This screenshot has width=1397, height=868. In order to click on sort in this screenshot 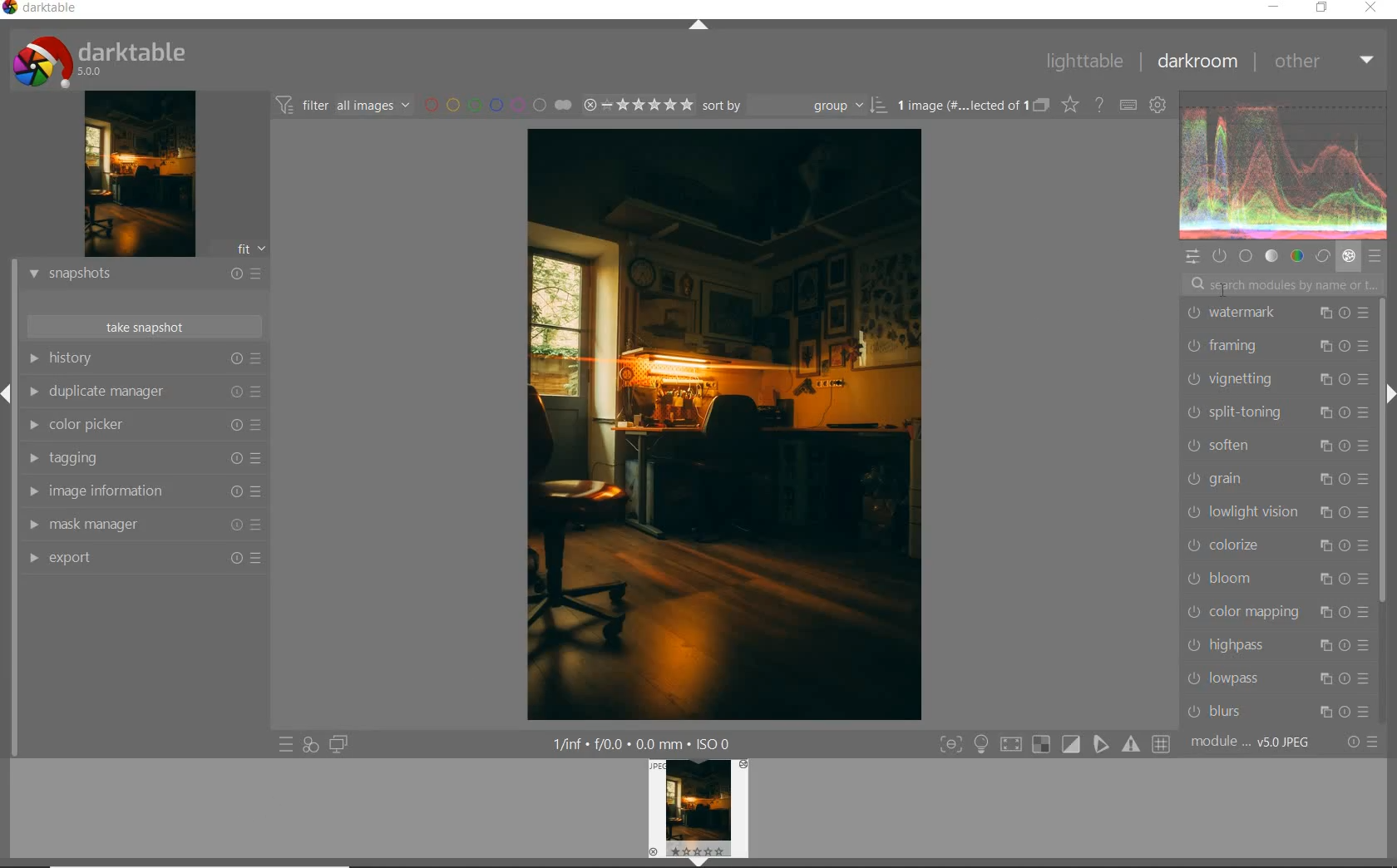, I will do `click(793, 106)`.